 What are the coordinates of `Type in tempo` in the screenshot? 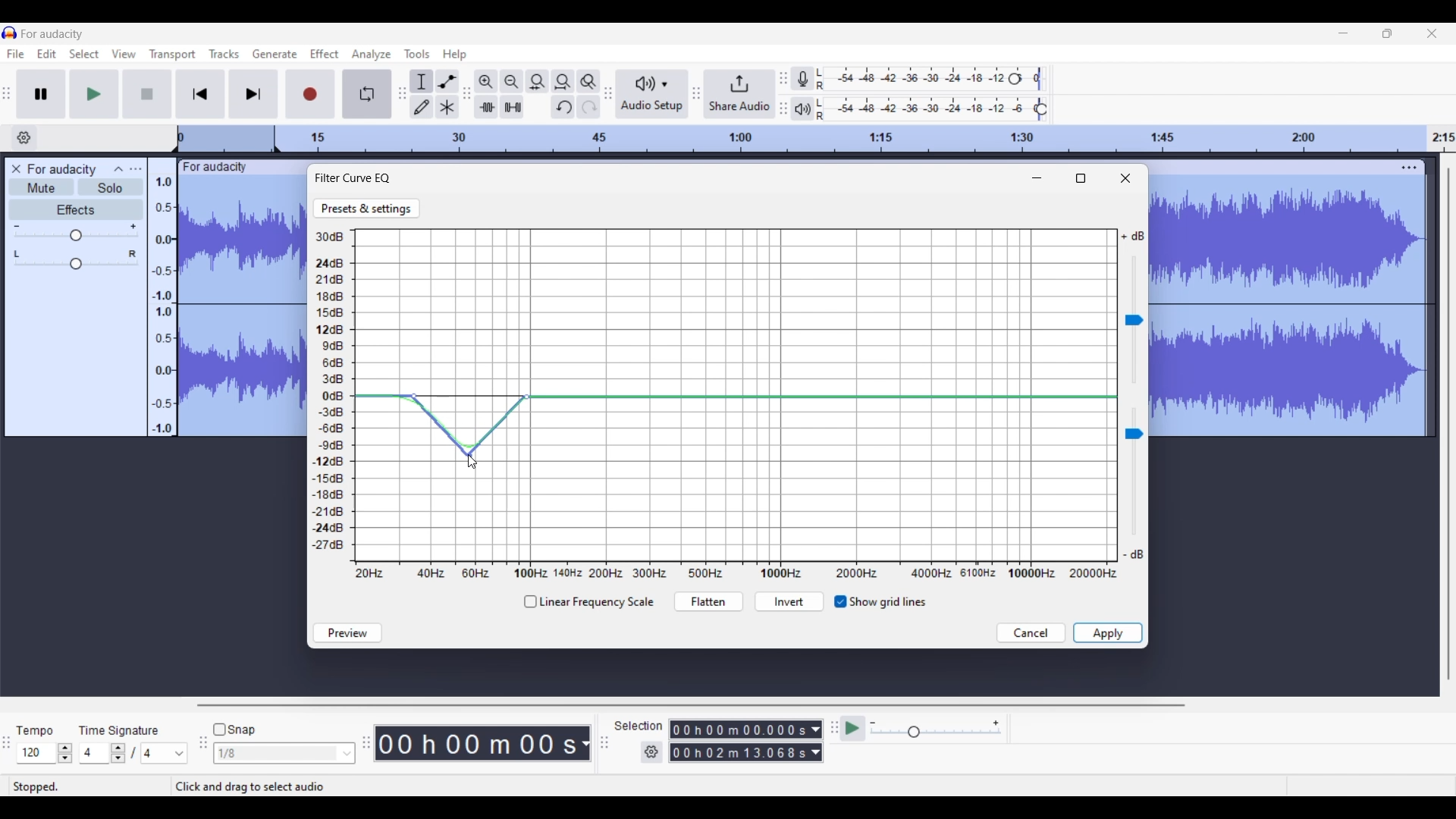 It's located at (36, 753).